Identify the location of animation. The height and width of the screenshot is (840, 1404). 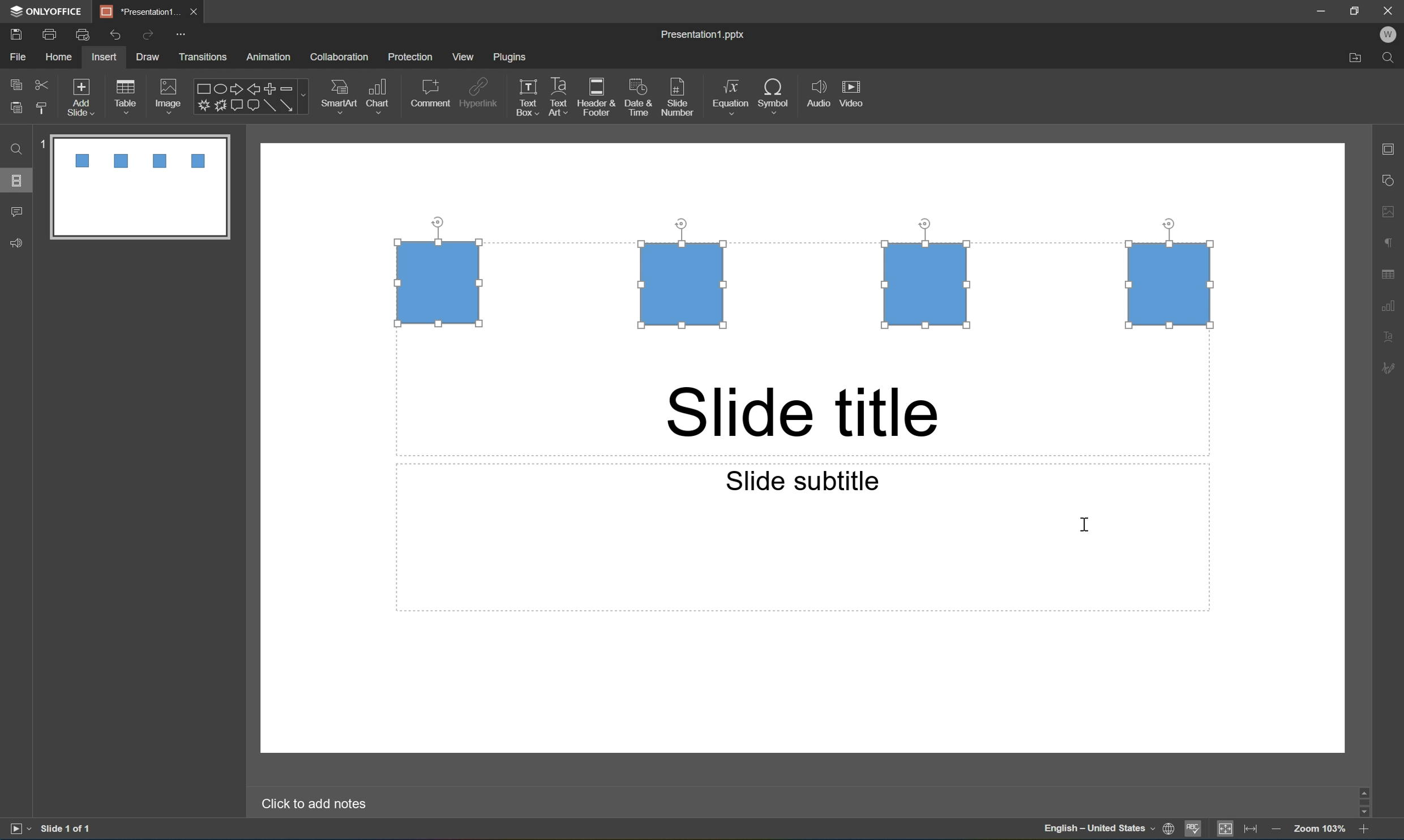
(273, 57).